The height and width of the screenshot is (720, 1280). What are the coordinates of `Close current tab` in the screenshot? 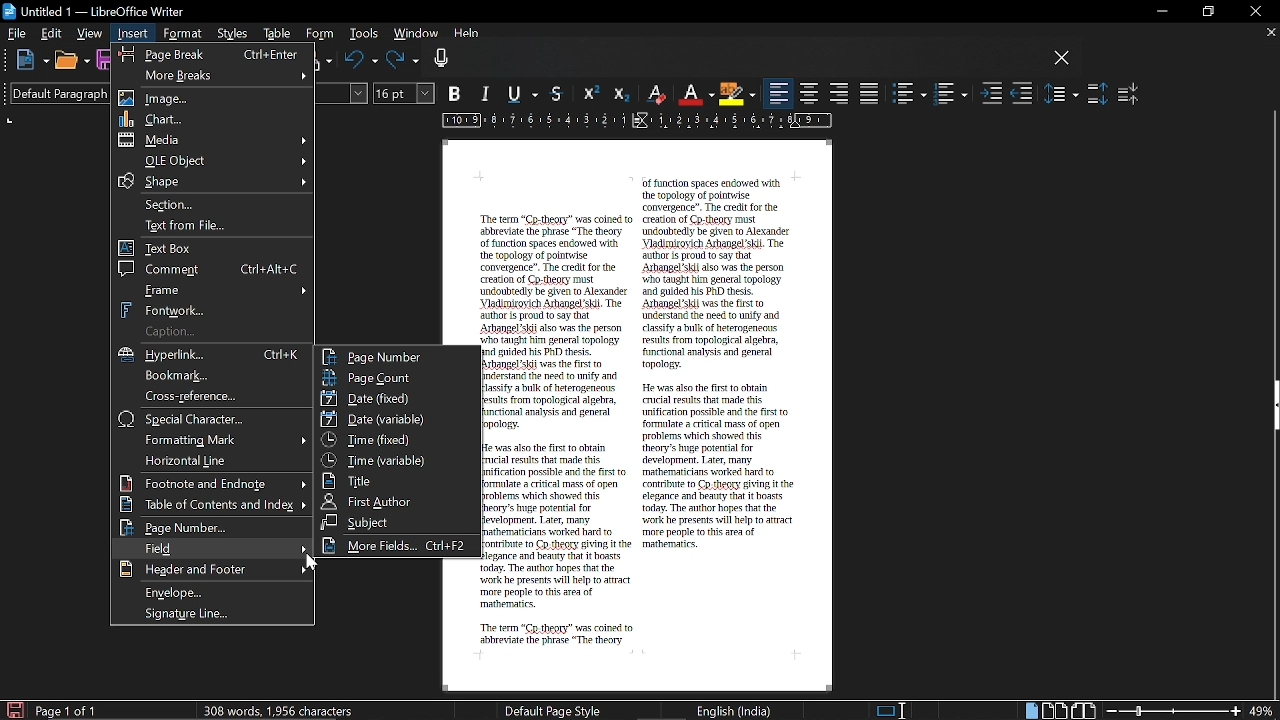 It's located at (1270, 32).